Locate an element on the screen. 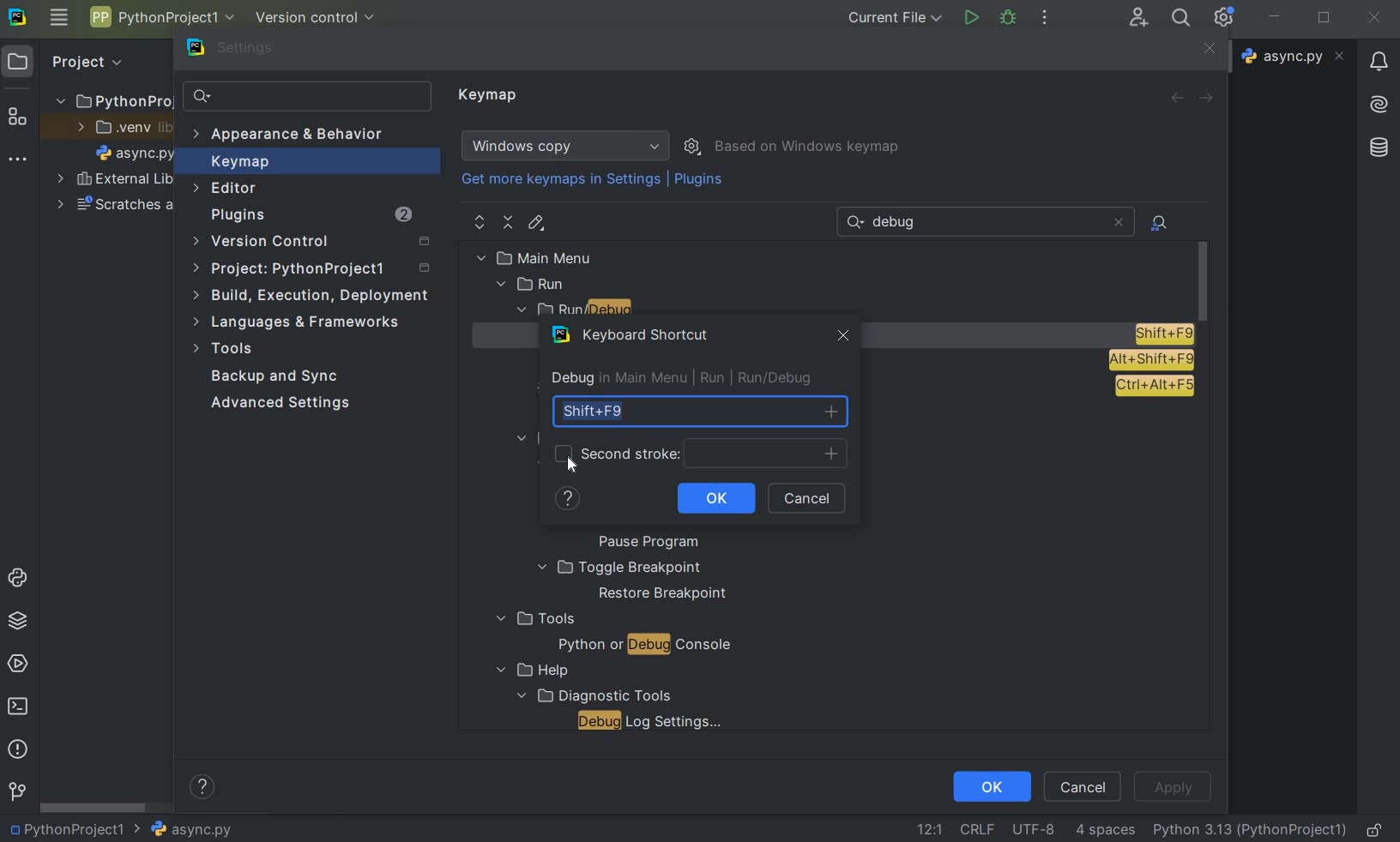 This screenshot has height=842, width=1400. terminal is located at coordinates (20, 706).